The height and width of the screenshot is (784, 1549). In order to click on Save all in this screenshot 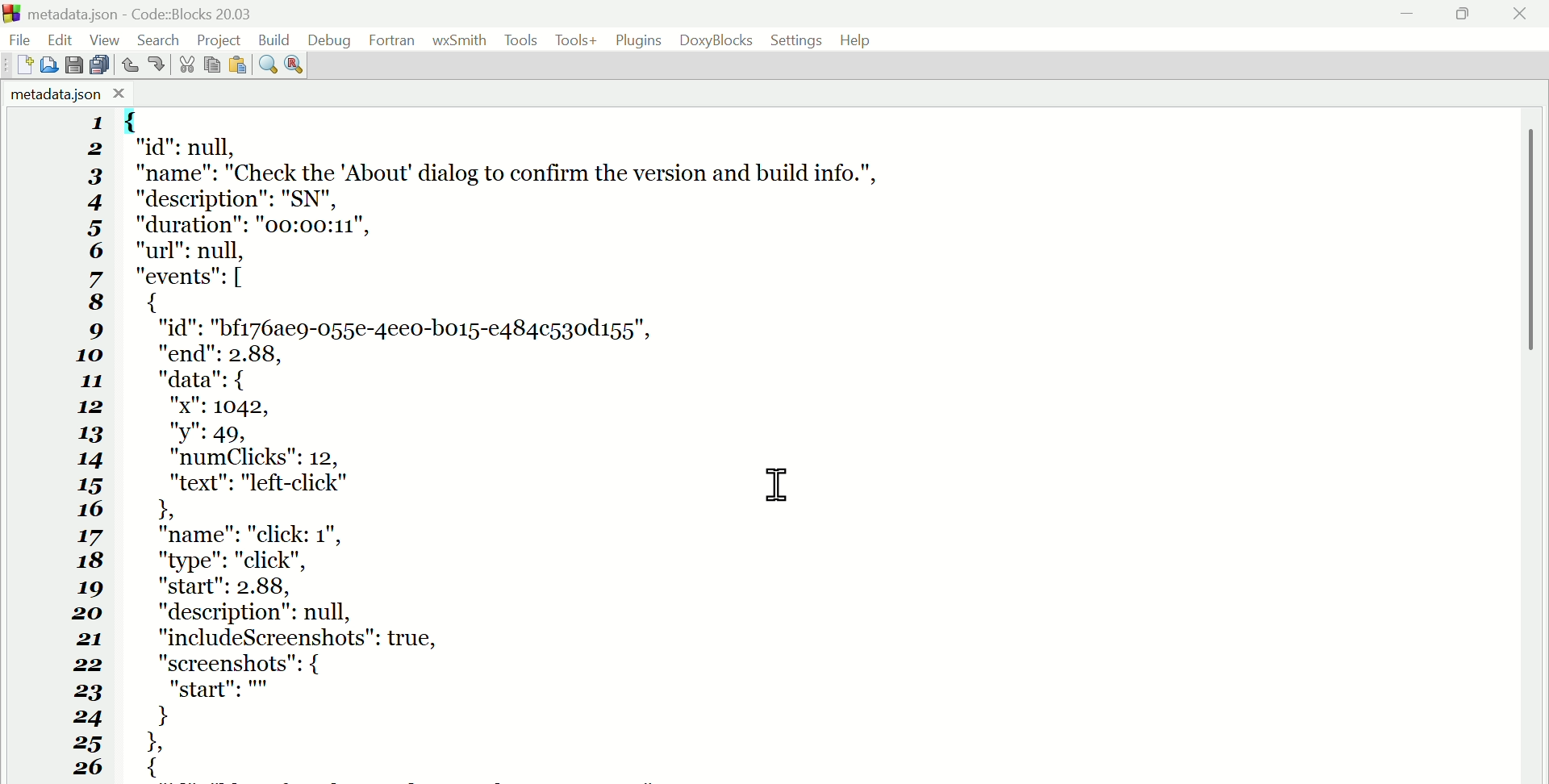, I will do `click(101, 65)`.